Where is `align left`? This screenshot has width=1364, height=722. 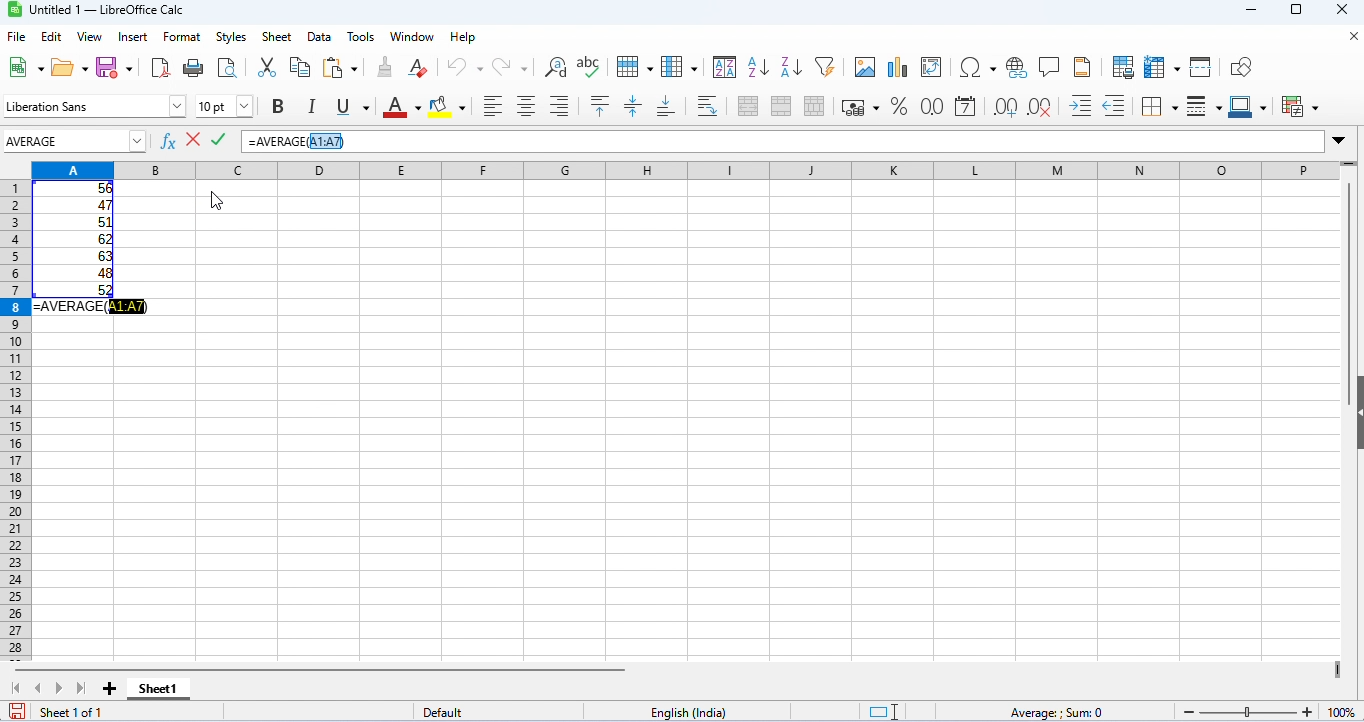 align left is located at coordinates (493, 106).